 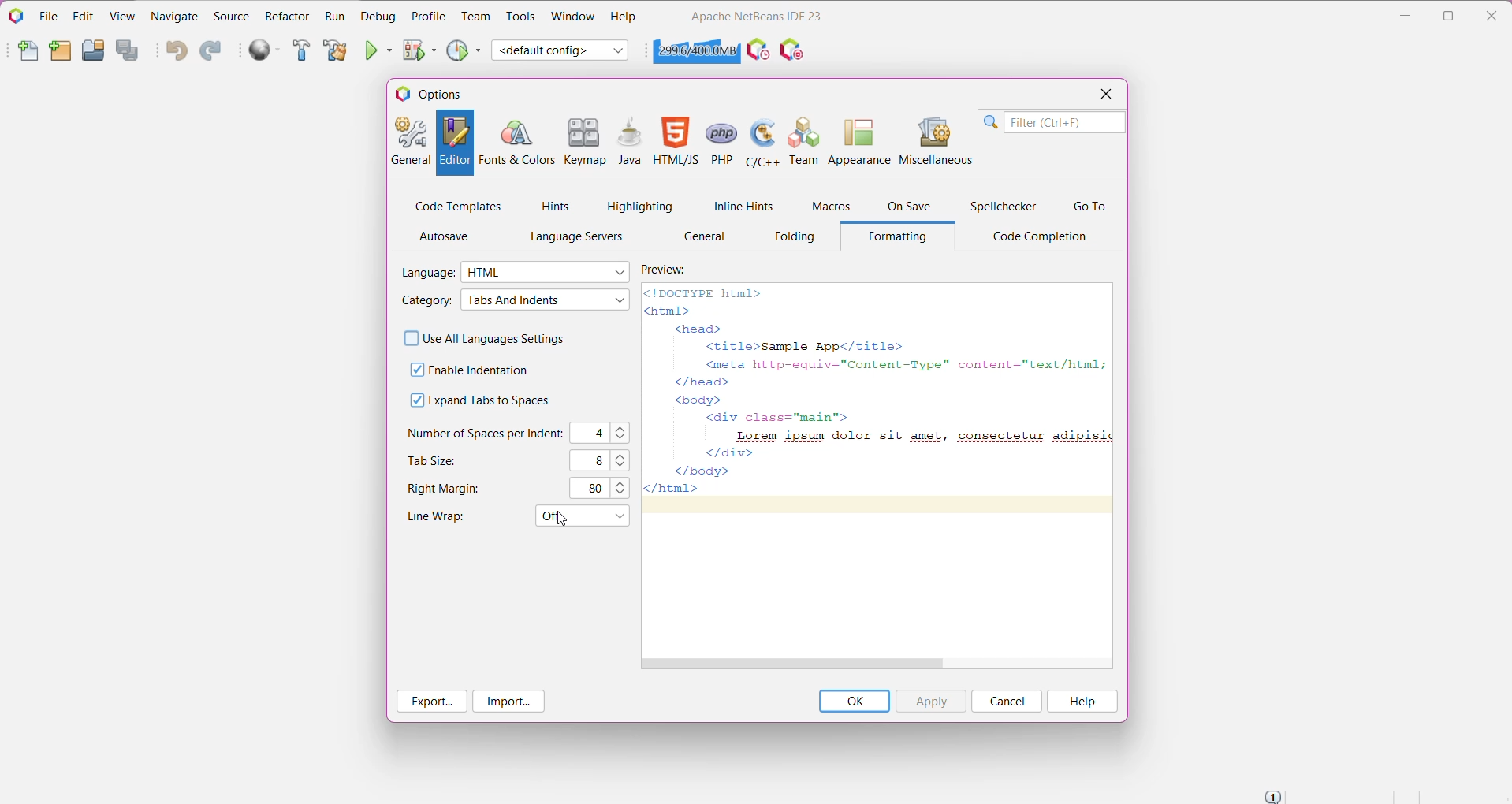 What do you see at coordinates (475, 17) in the screenshot?
I see `Team` at bounding box center [475, 17].